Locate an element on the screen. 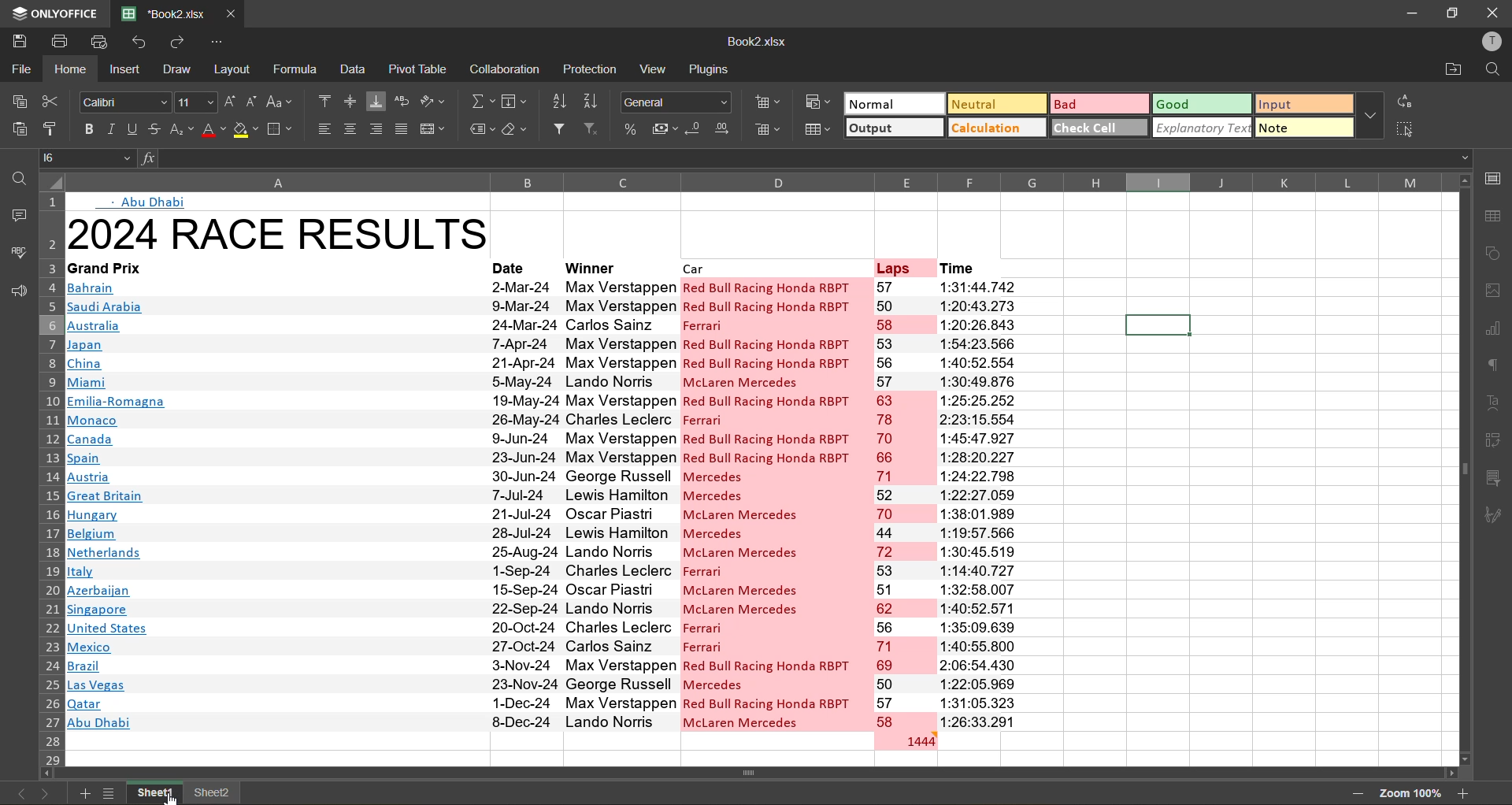 Image resolution: width=1512 pixels, height=805 pixels. column names is located at coordinates (757, 179).